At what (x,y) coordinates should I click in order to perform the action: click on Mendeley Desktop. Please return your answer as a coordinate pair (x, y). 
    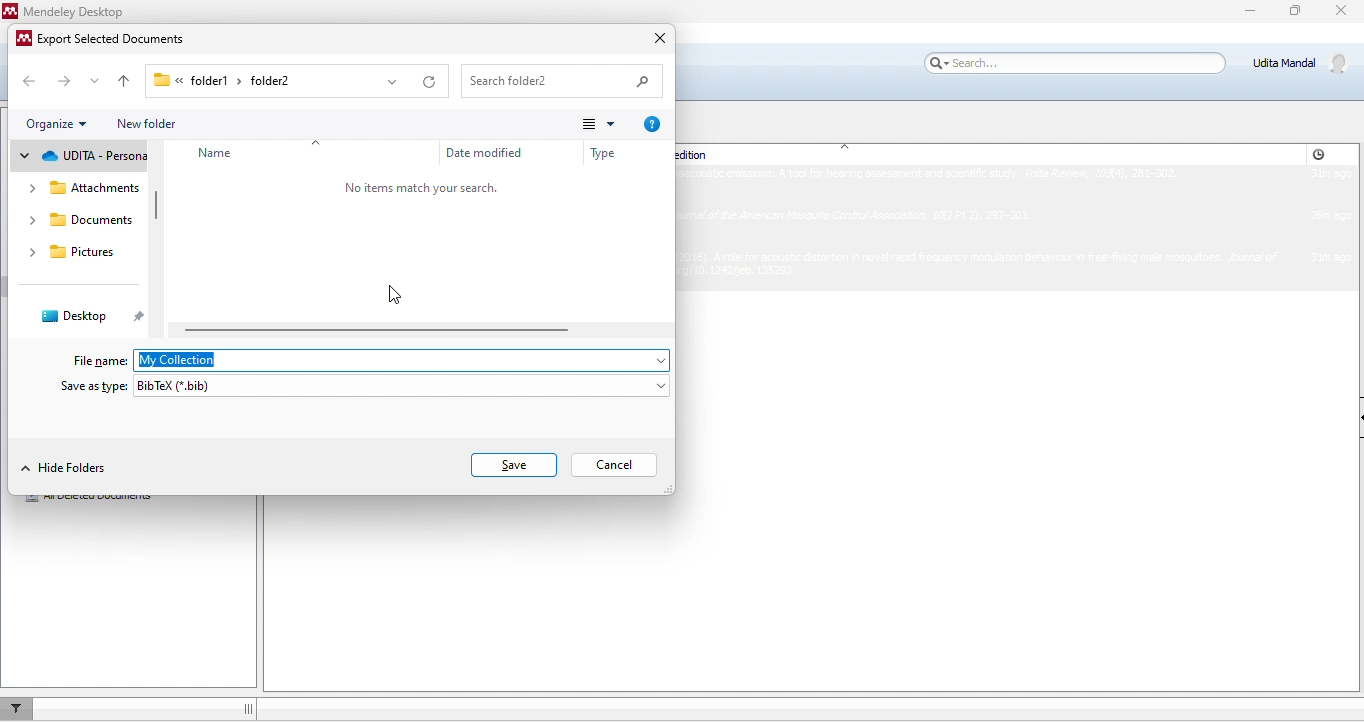
    Looking at the image, I should click on (69, 11).